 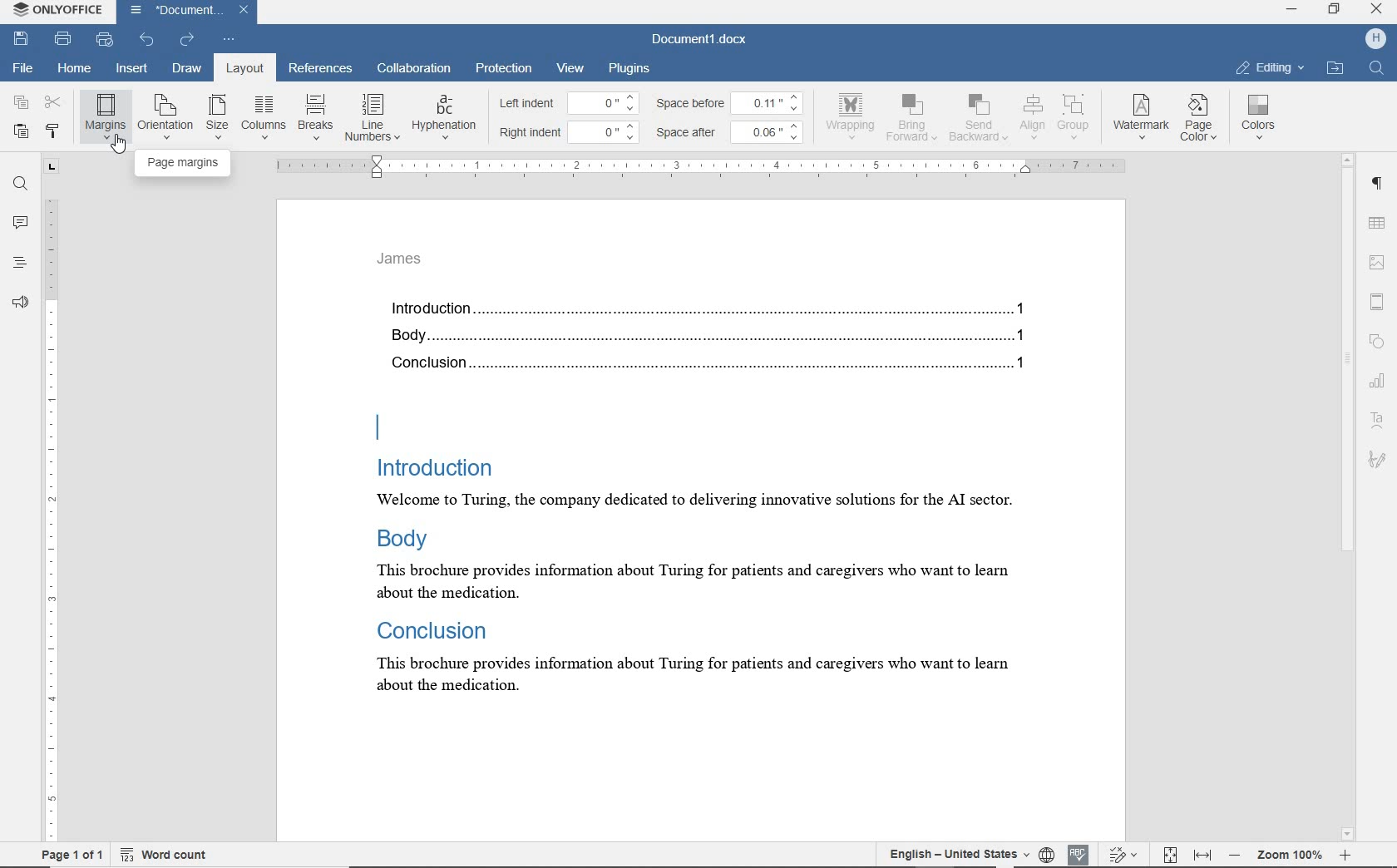 I want to click on image, so click(x=1379, y=260).